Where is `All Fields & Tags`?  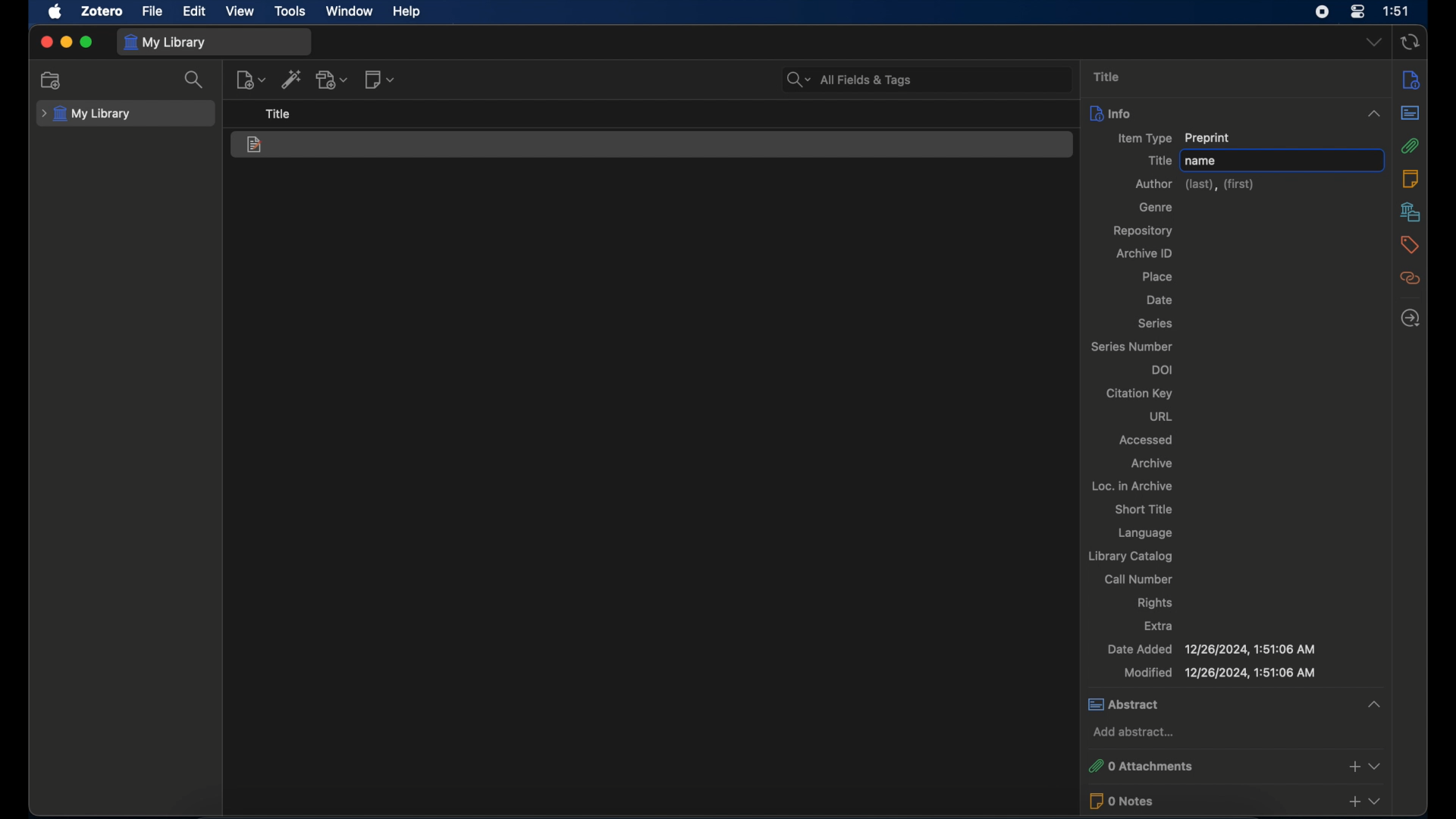 All Fields & Tags is located at coordinates (927, 78).